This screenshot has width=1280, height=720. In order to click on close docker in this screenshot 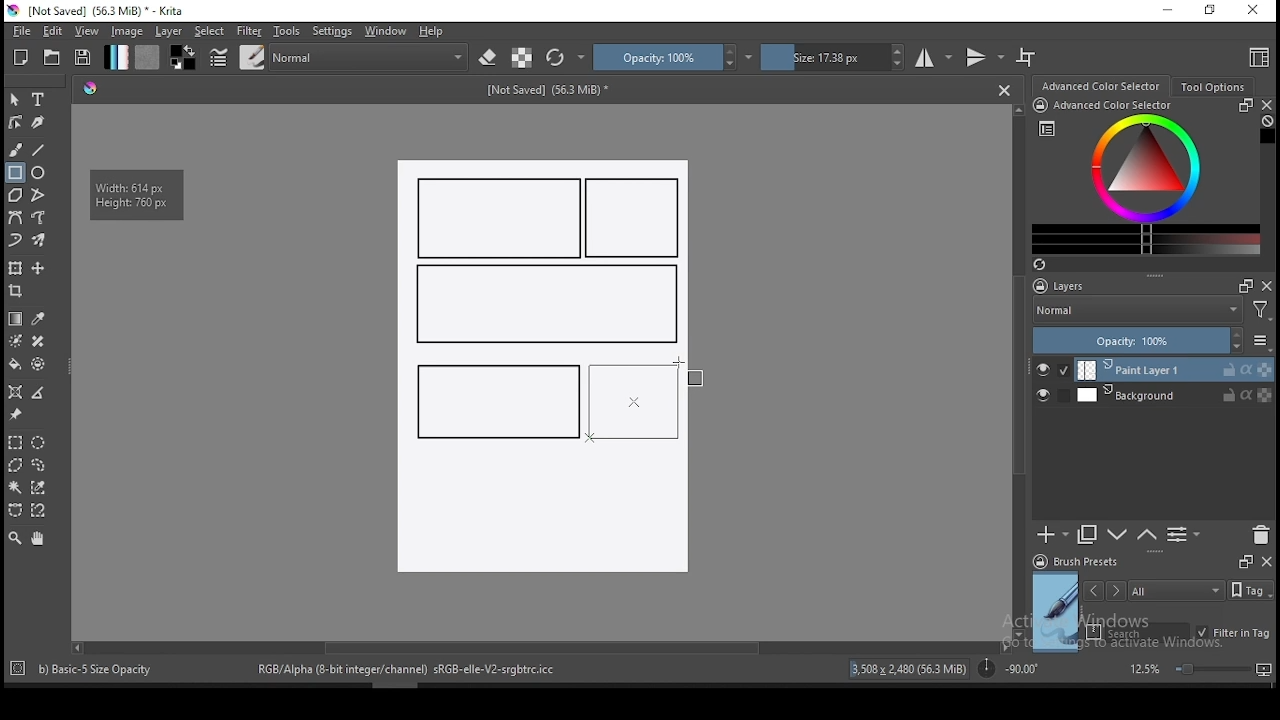, I will do `click(1266, 105)`.